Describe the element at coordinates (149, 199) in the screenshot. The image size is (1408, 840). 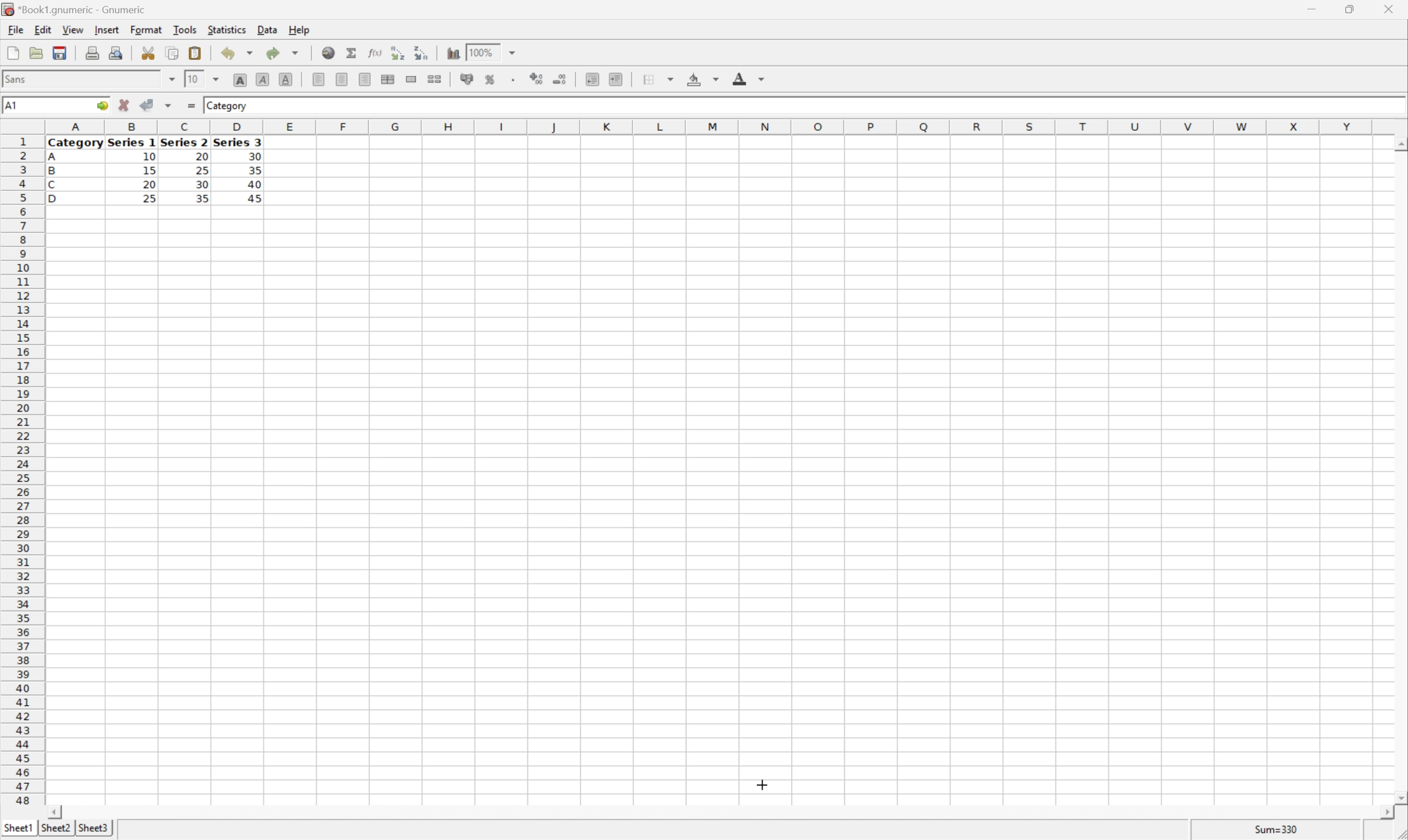
I see `25` at that location.